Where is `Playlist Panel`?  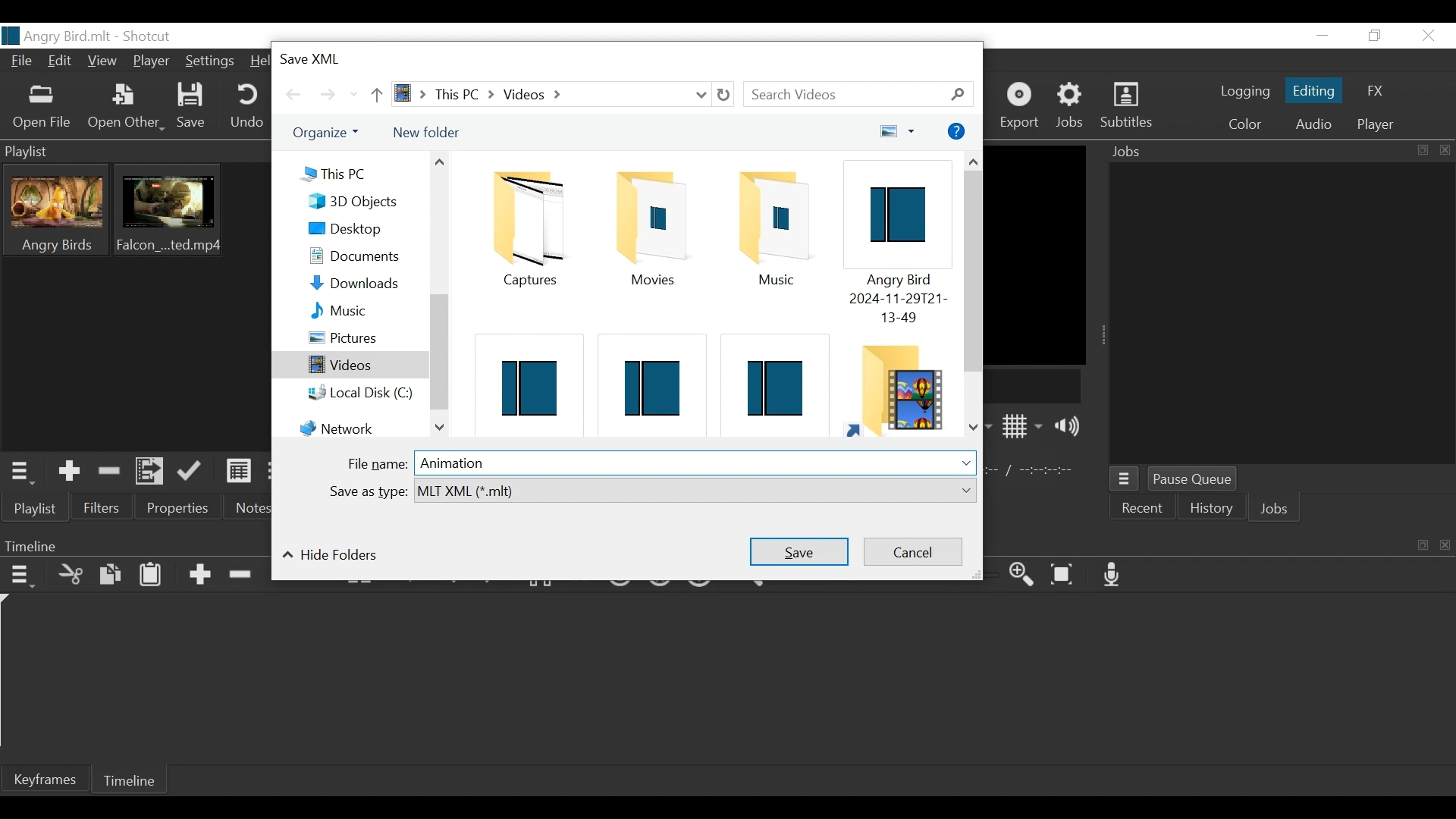 Playlist Panel is located at coordinates (132, 149).